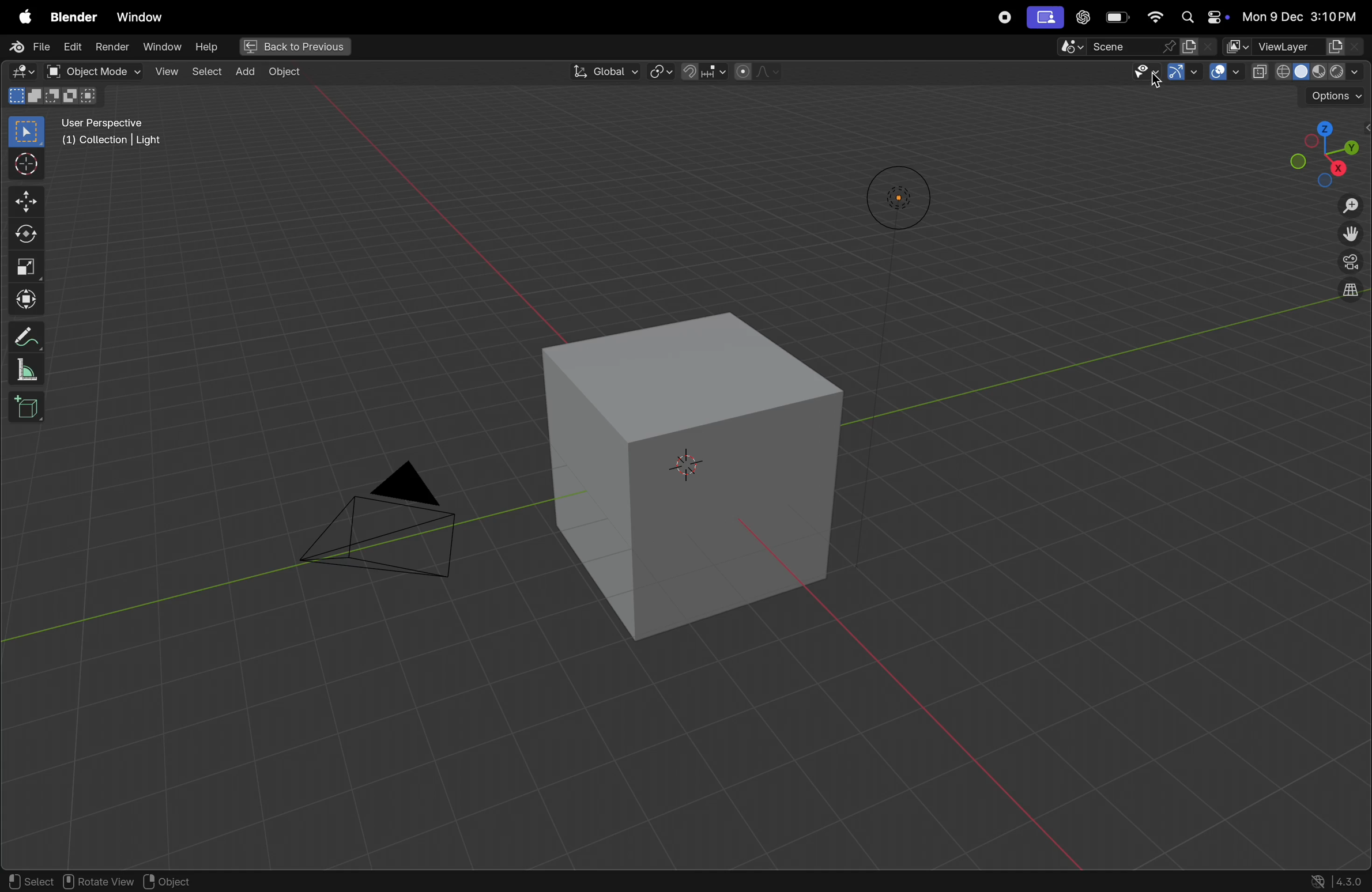 The width and height of the screenshot is (1372, 892). I want to click on select, so click(28, 880).